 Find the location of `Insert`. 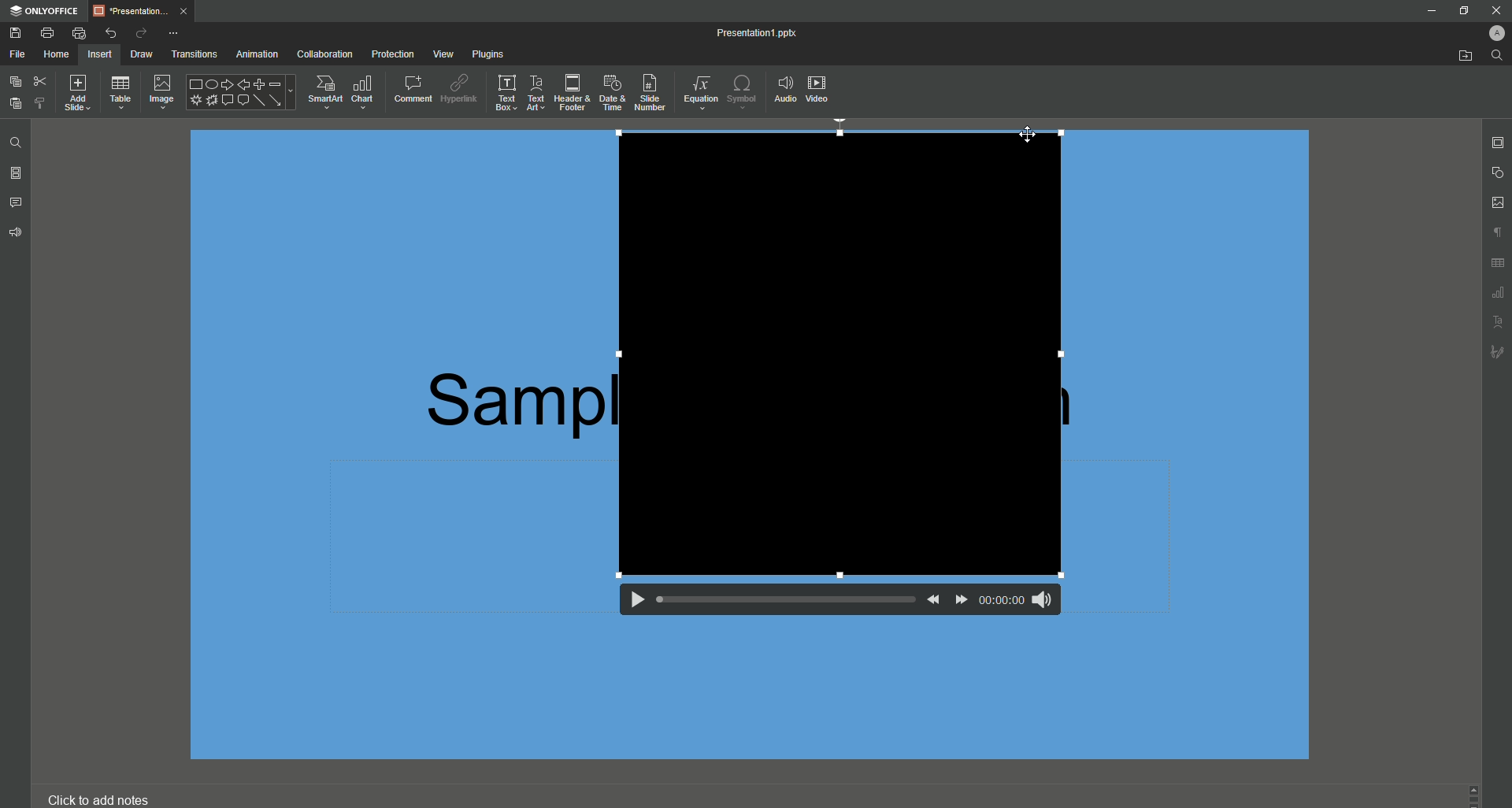

Insert is located at coordinates (98, 54).